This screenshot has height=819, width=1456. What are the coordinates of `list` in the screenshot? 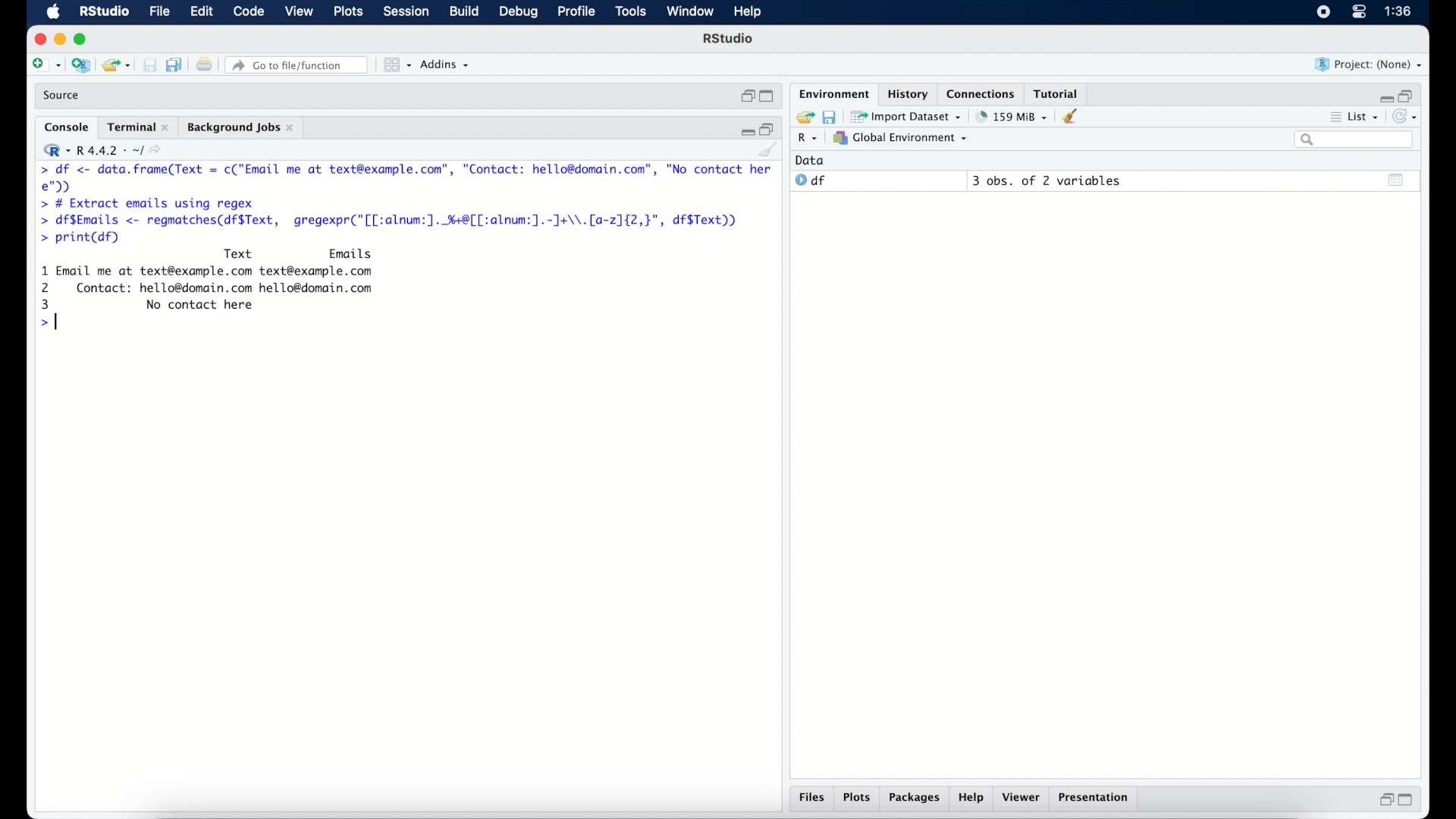 It's located at (1359, 117).